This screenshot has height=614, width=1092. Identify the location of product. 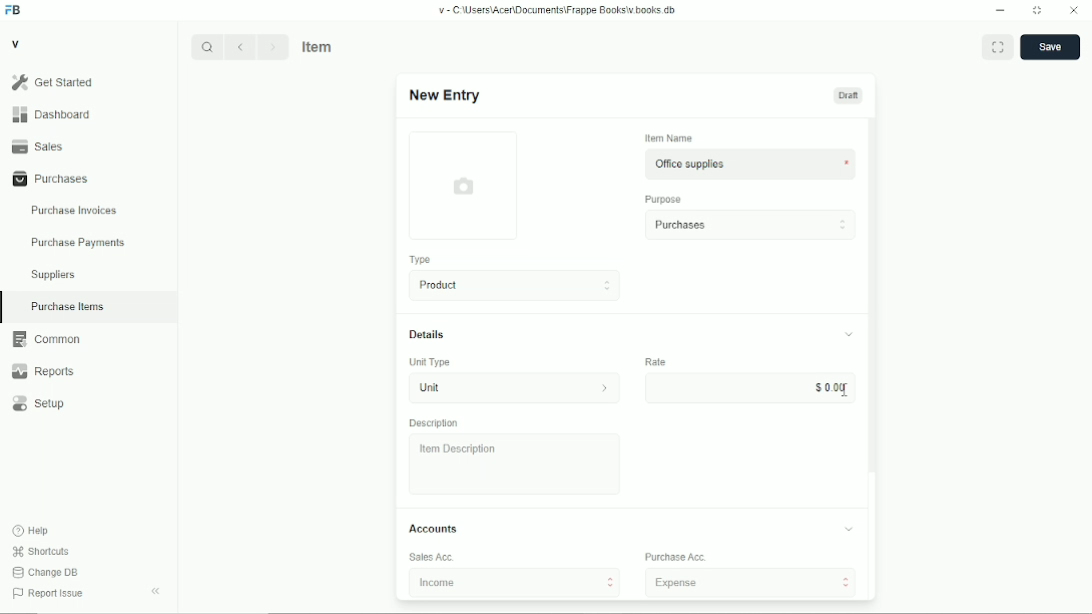
(516, 285).